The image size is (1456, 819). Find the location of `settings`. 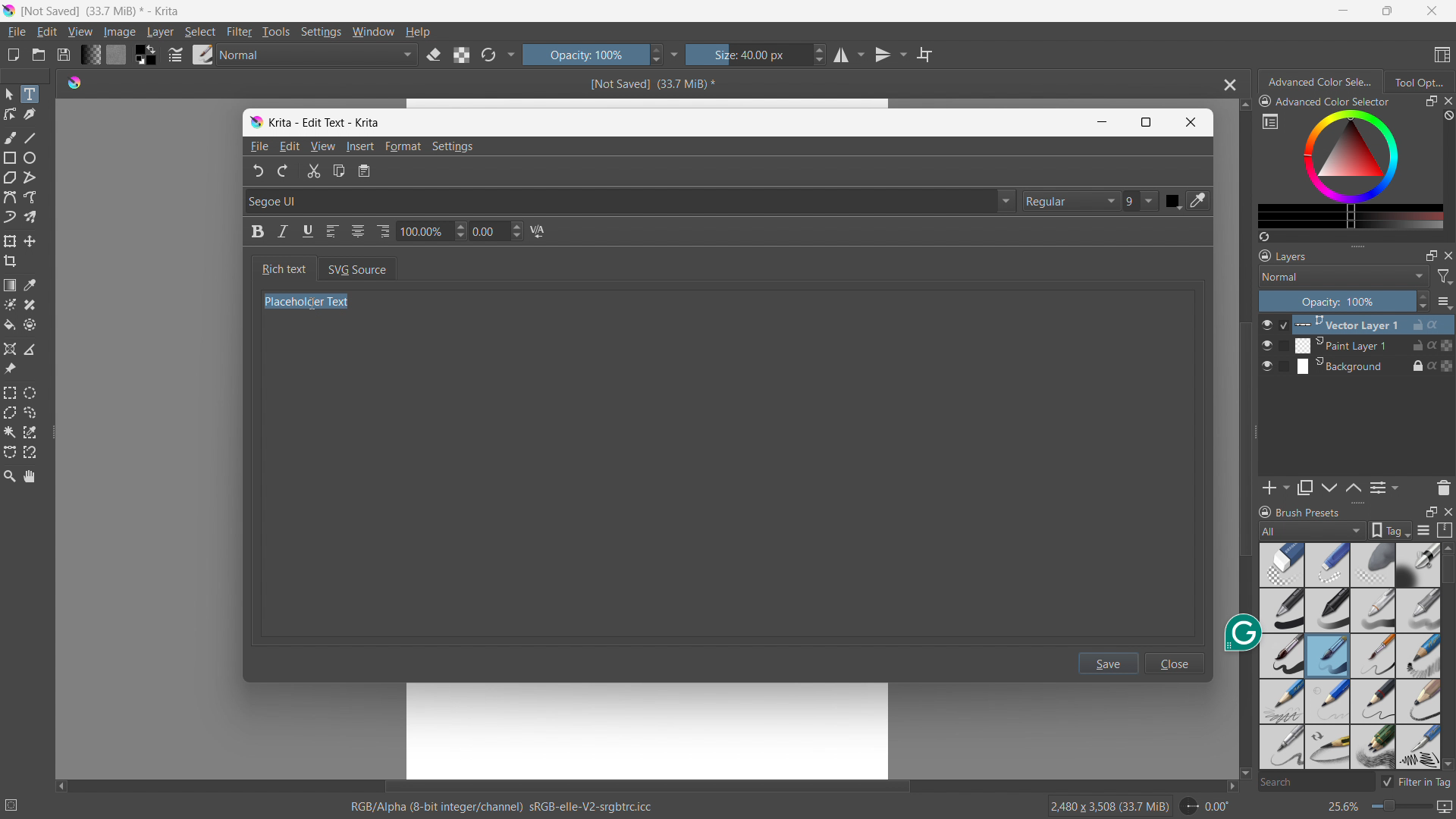

settings is located at coordinates (321, 33).